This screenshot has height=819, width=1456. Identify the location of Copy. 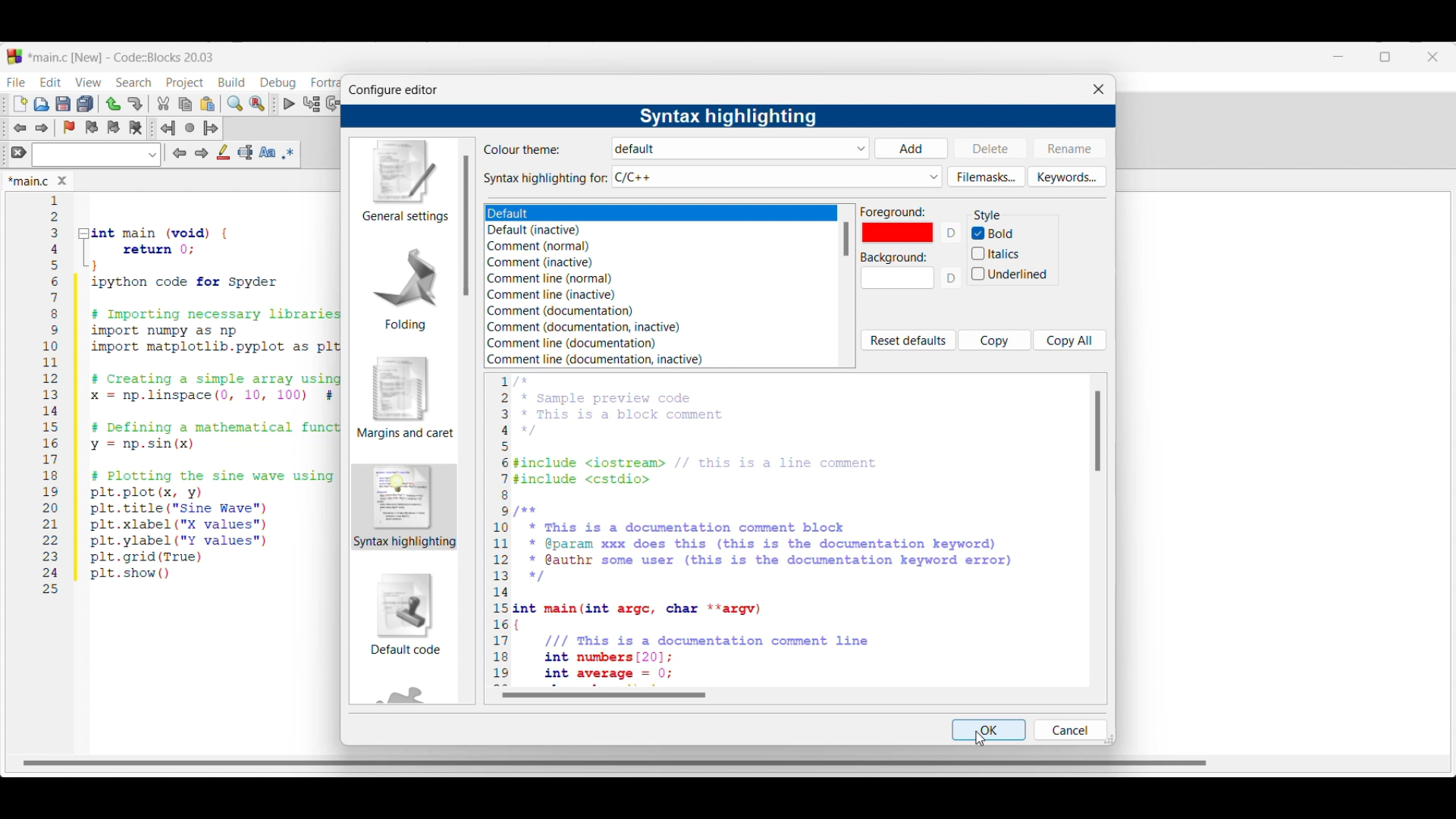
(995, 340).